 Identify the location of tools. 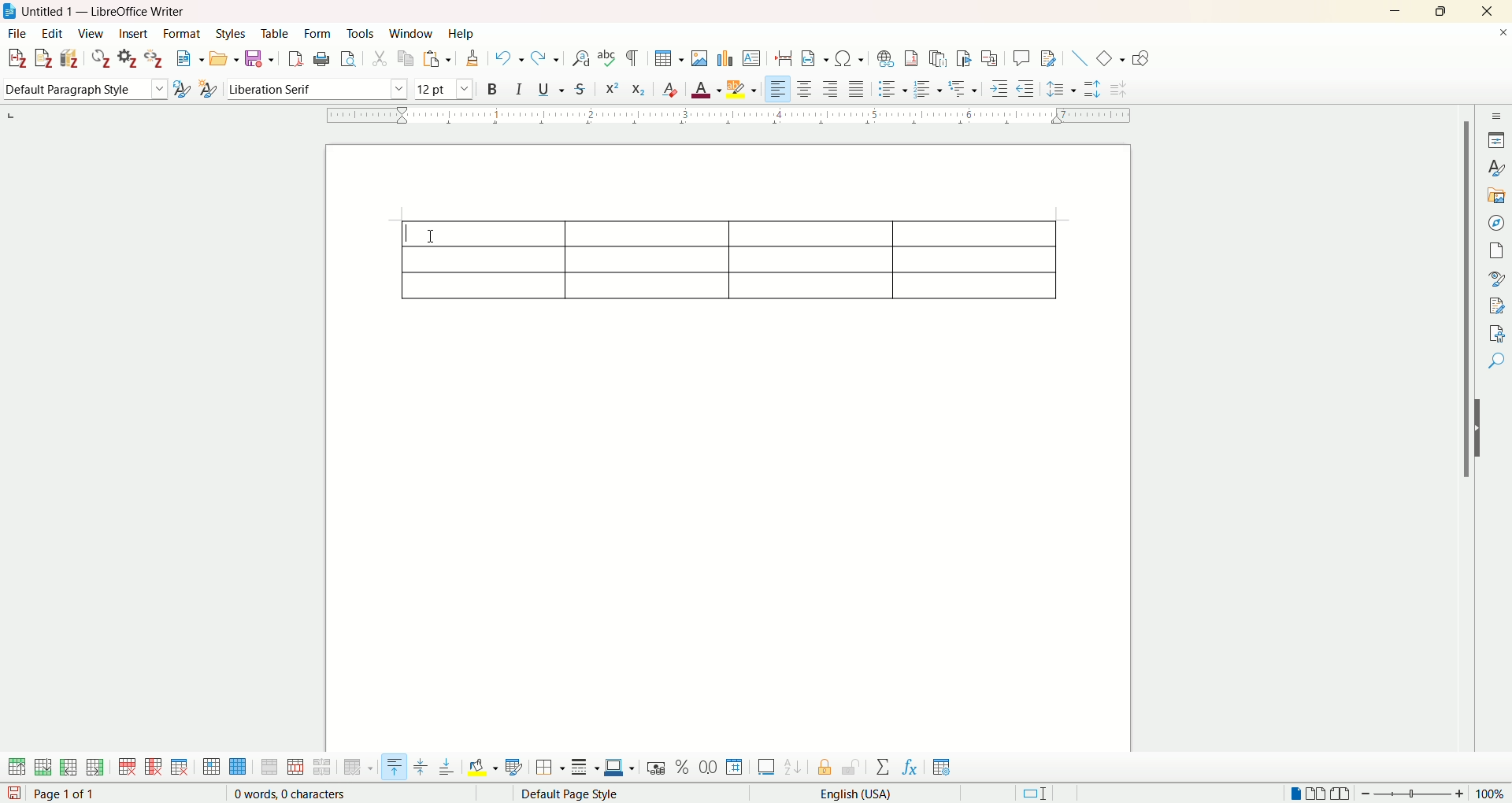
(361, 33).